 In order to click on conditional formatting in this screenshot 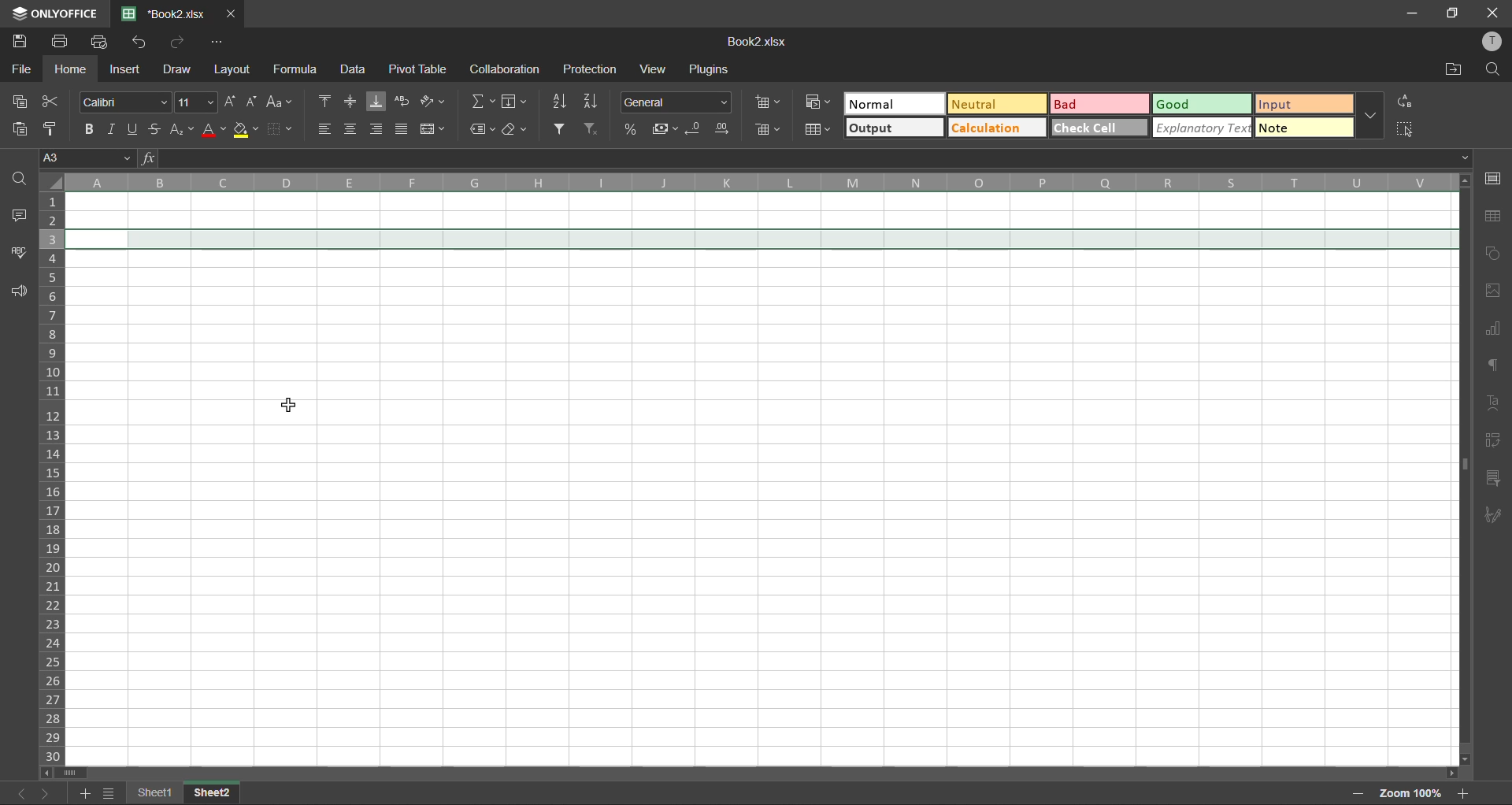, I will do `click(816, 101)`.